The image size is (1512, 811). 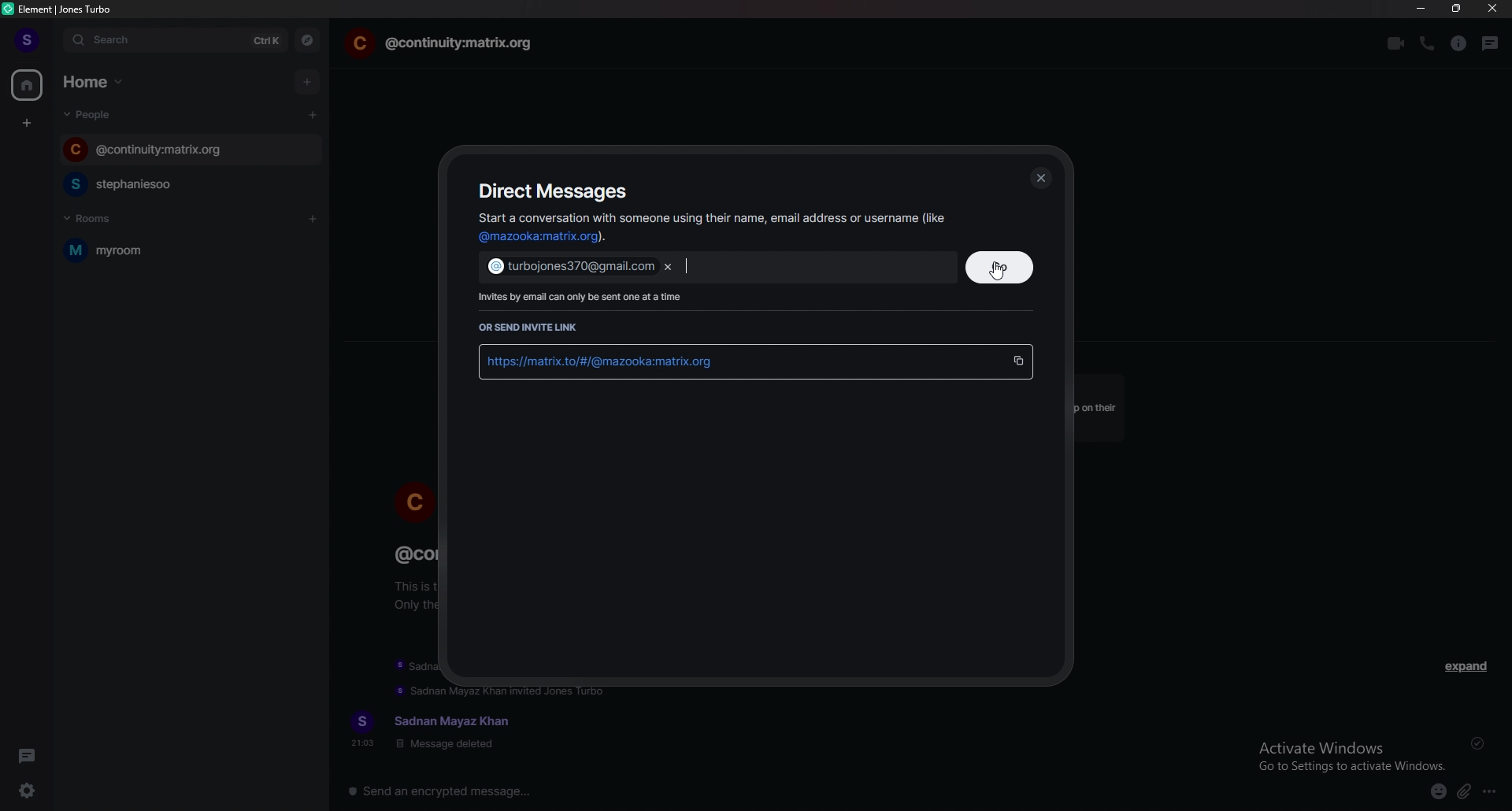 What do you see at coordinates (1458, 9) in the screenshot?
I see `resize` at bounding box center [1458, 9].